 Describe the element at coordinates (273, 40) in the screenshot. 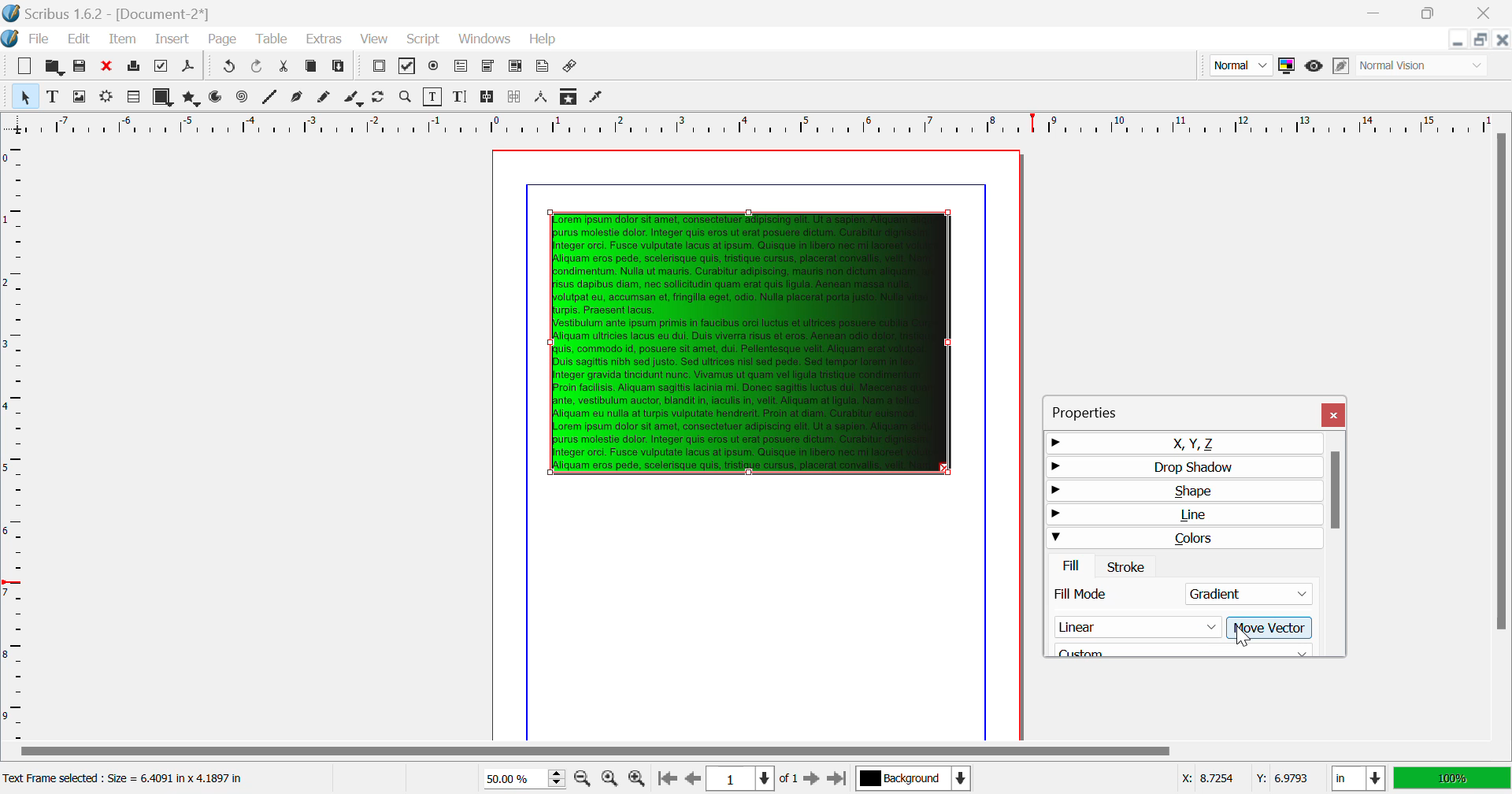

I see `Table` at that location.